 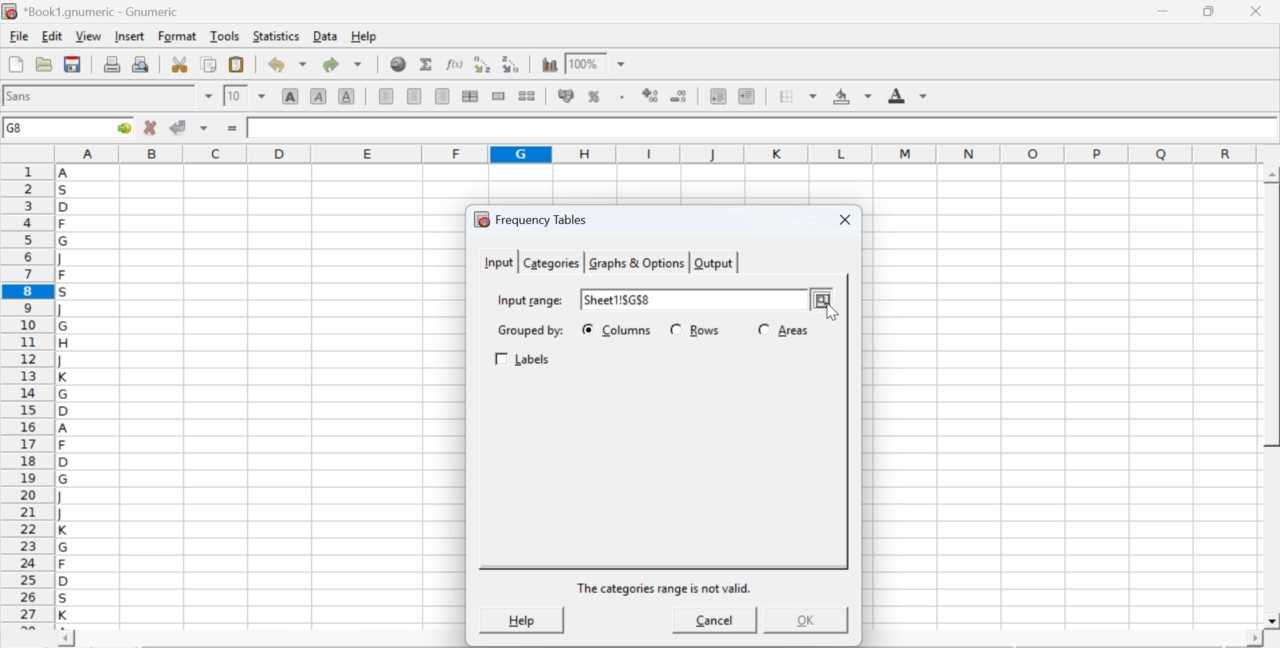 I want to click on bold, so click(x=291, y=95).